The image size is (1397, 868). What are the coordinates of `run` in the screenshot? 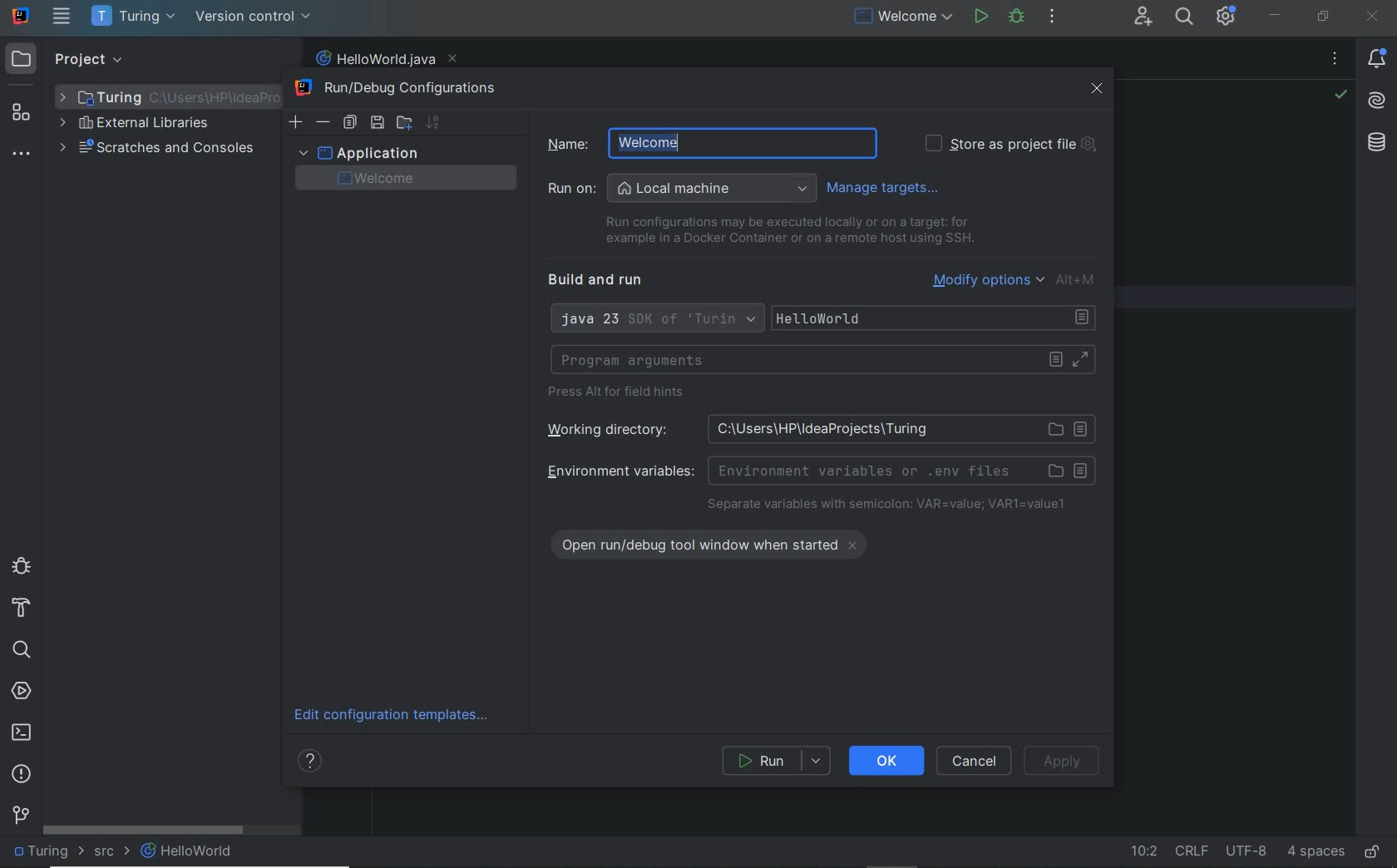 It's located at (777, 761).